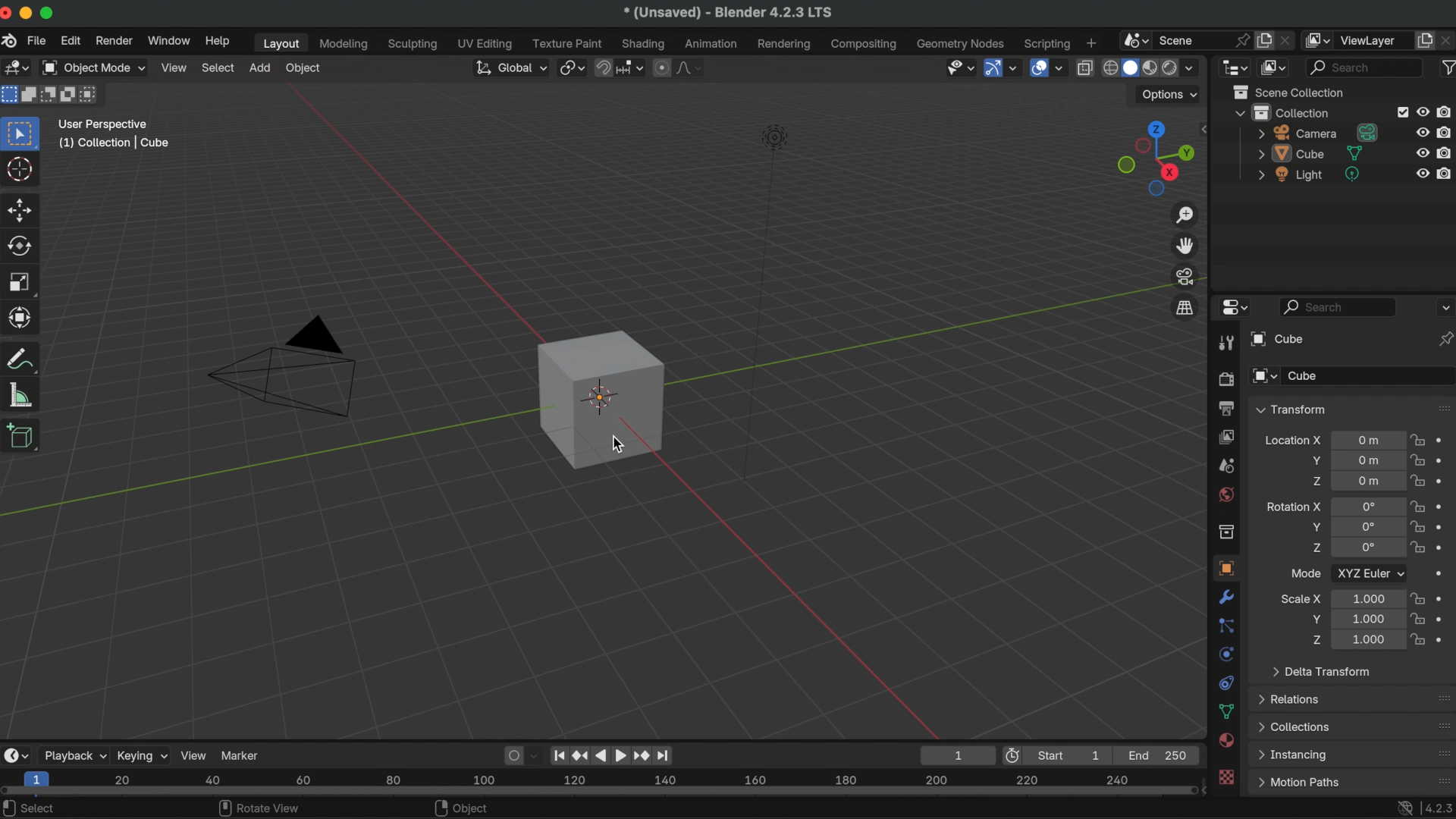 This screenshot has height=819, width=1456. What do you see at coordinates (15, 755) in the screenshot?
I see `editor type` at bounding box center [15, 755].